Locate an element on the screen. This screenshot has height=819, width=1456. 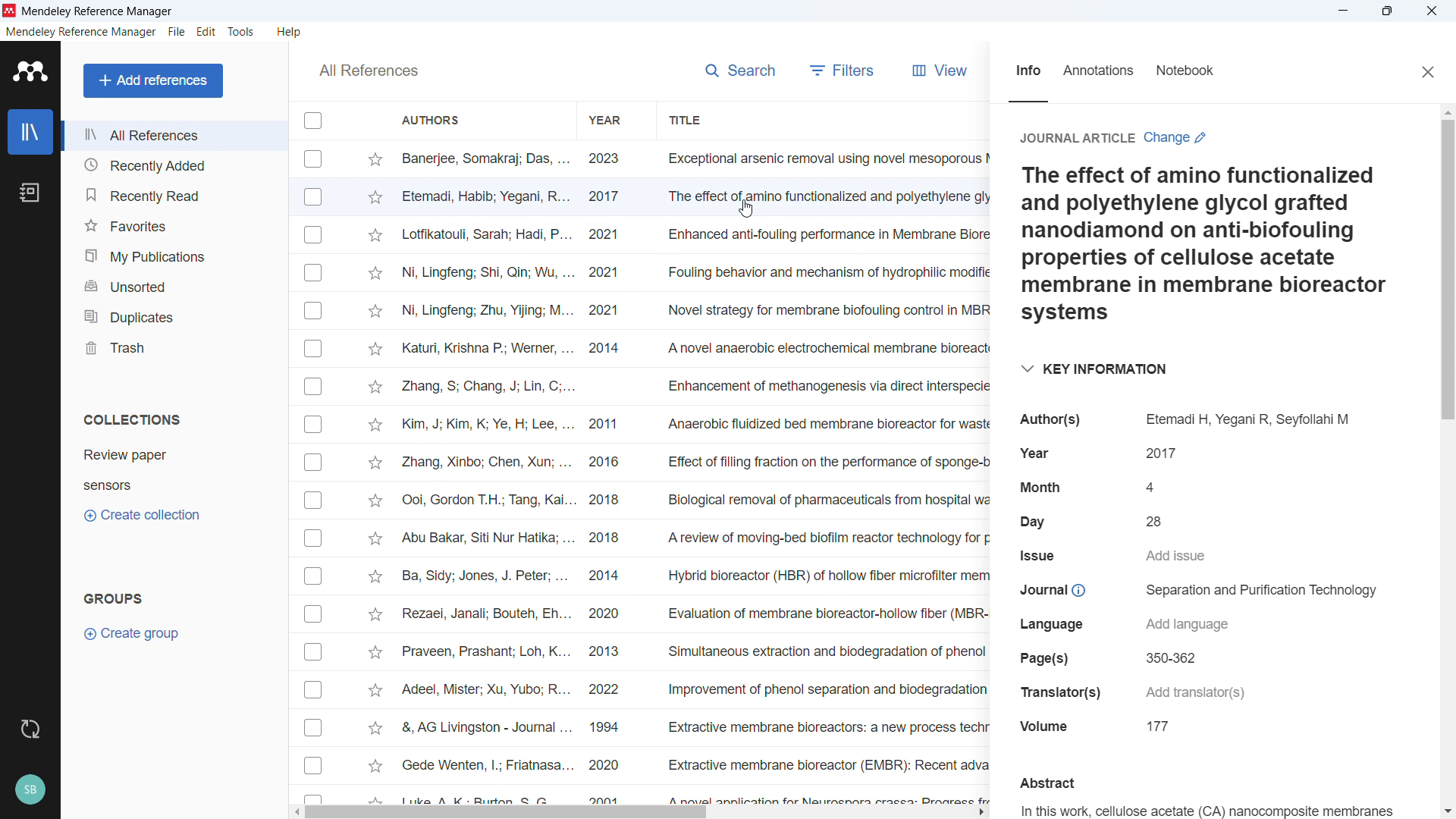
Starmark individual entries  is located at coordinates (378, 475).